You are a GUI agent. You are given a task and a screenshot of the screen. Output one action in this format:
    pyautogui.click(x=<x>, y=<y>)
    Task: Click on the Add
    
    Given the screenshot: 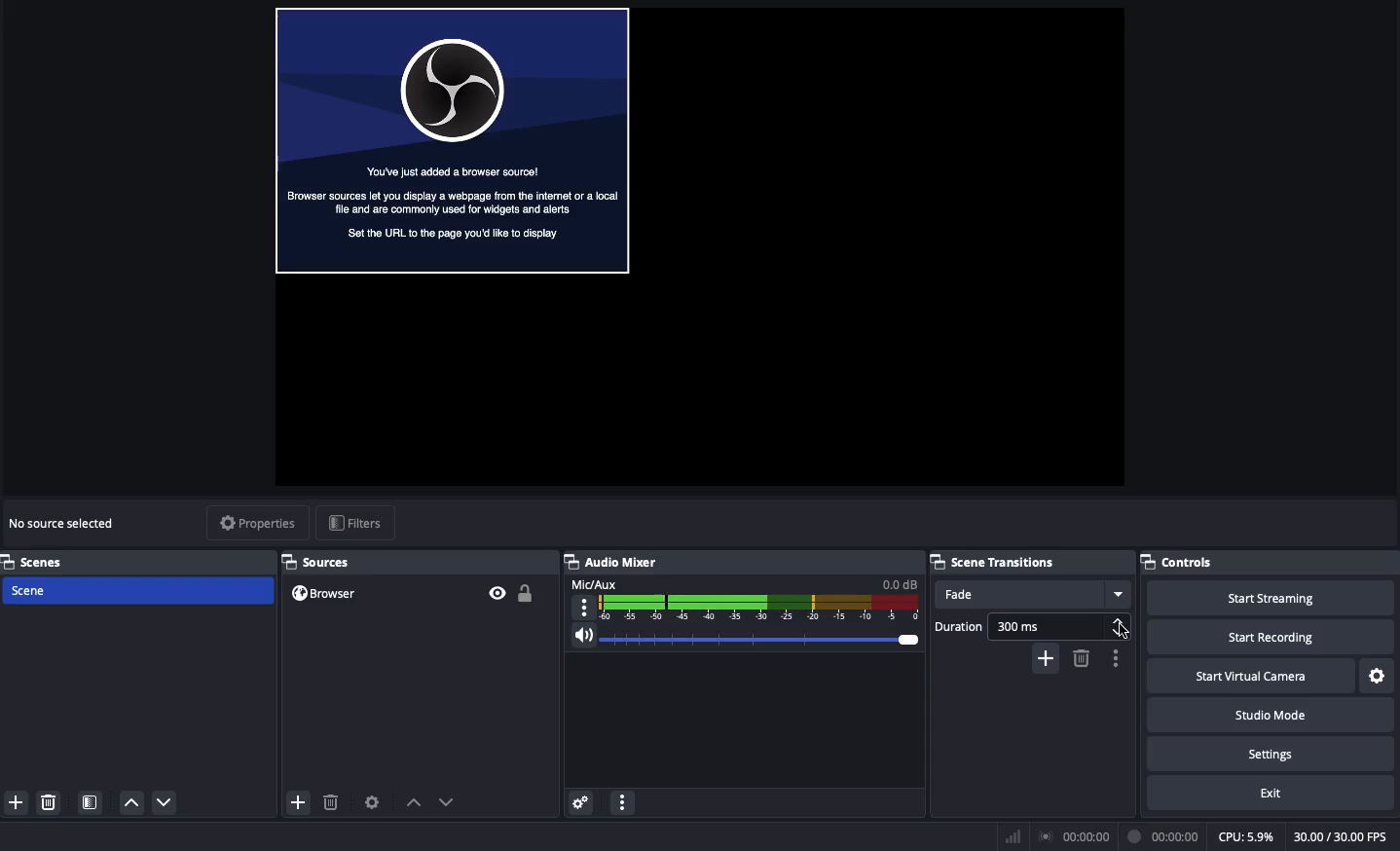 What is the action you would take?
    pyautogui.click(x=18, y=803)
    